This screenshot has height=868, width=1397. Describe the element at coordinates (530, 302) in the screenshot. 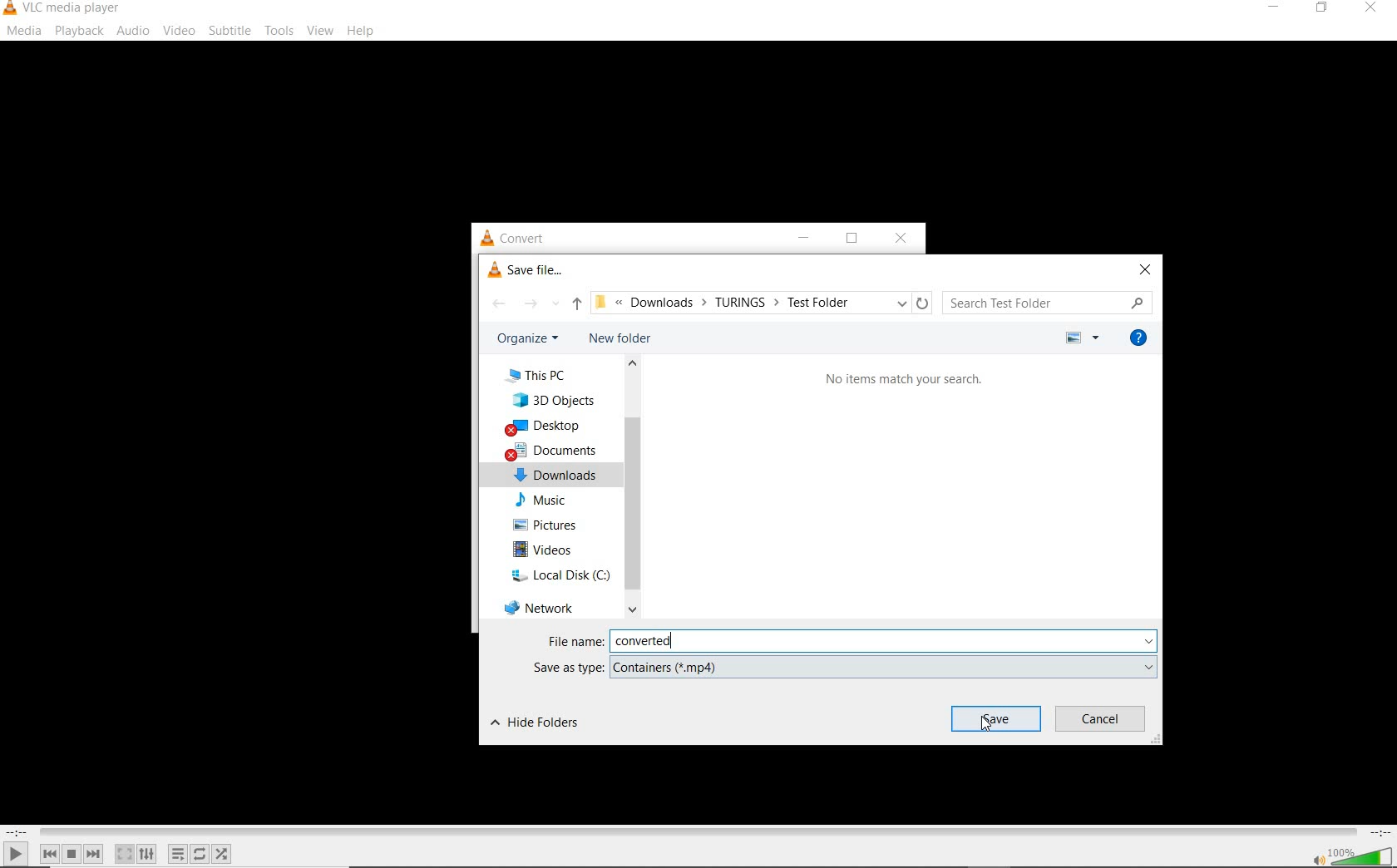

I see `forward` at that location.